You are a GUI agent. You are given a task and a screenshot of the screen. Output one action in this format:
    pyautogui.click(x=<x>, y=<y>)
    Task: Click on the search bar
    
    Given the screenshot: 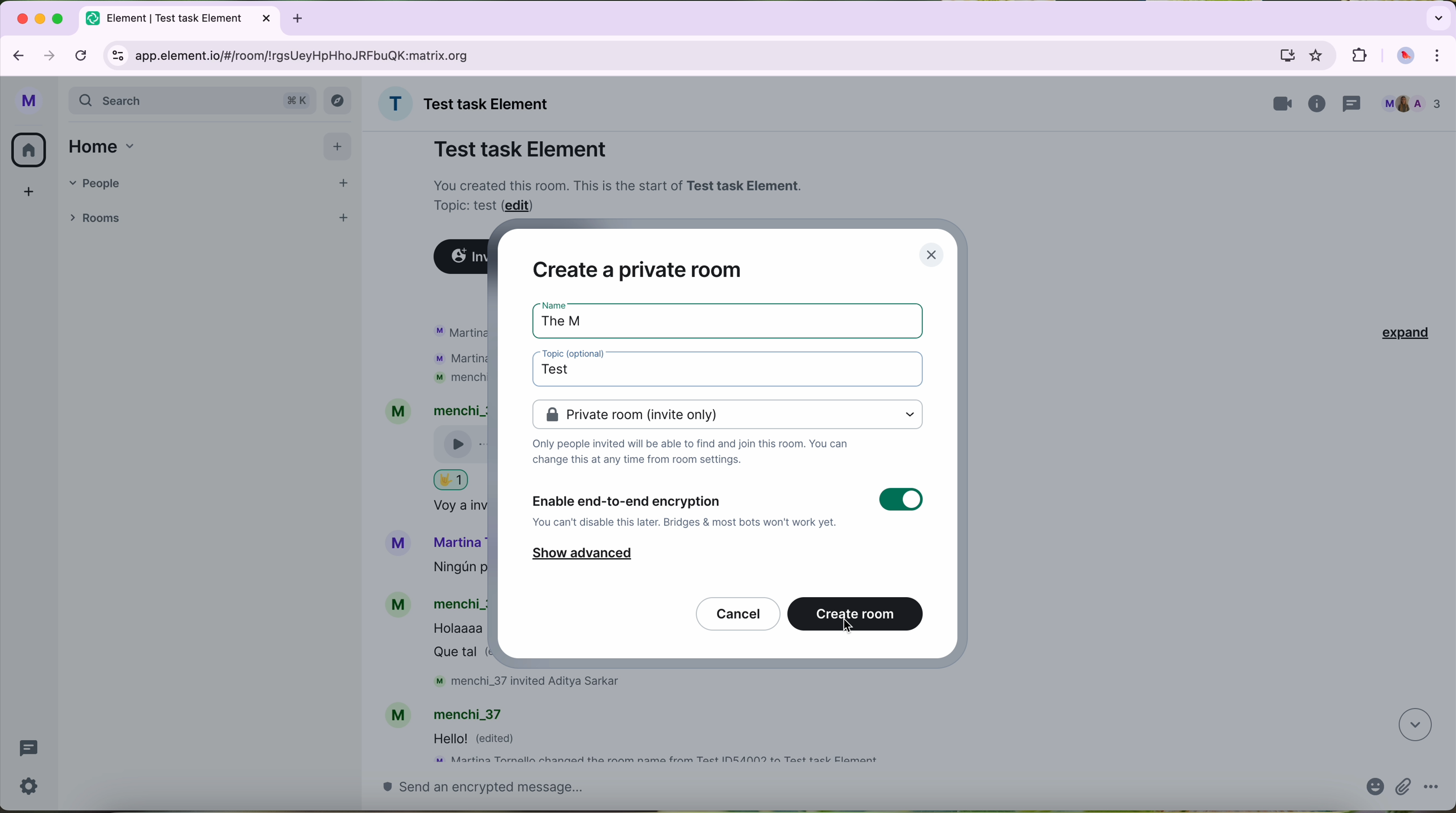 What is the action you would take?
    pyautogui.click(x=193, y=102)
    